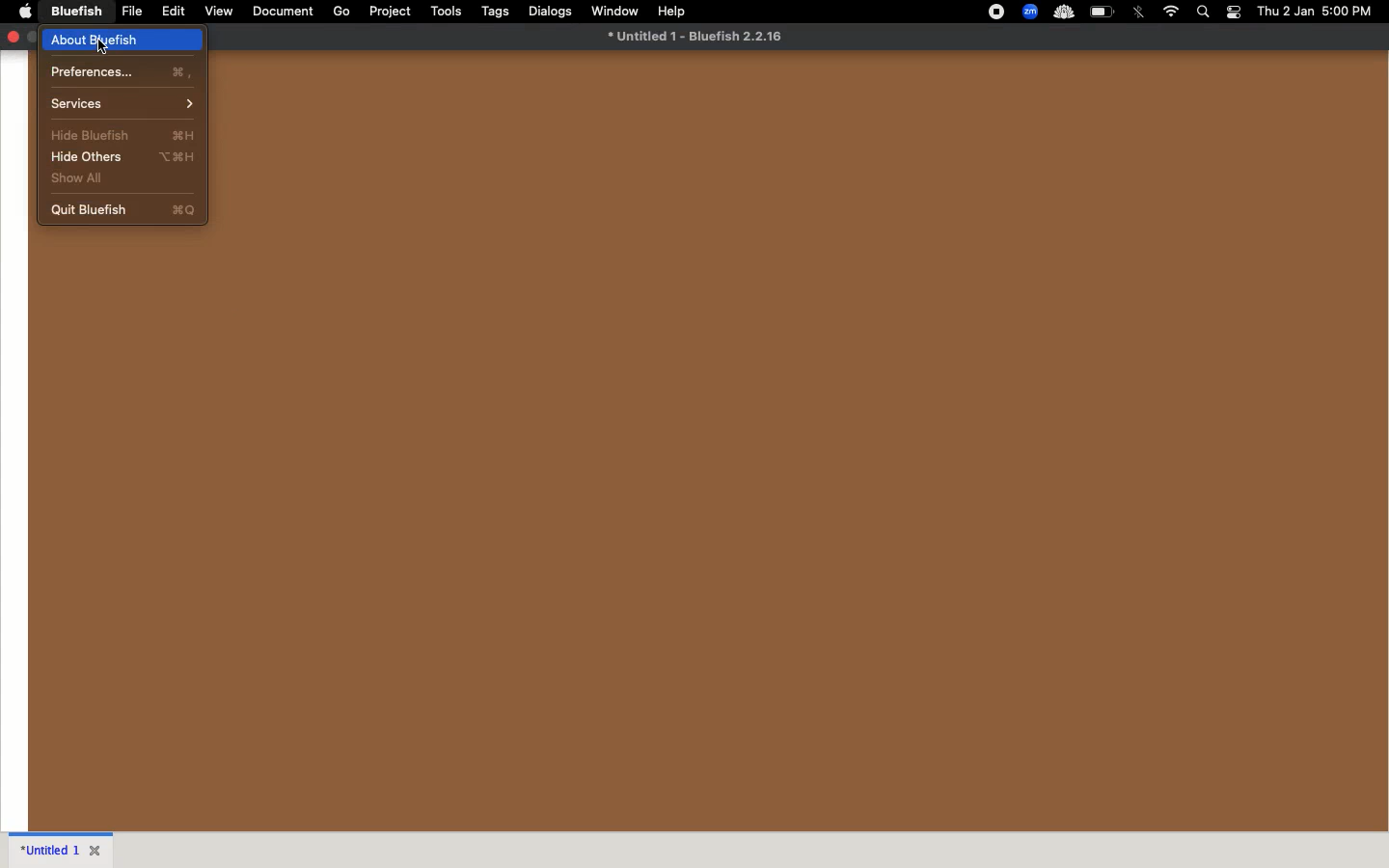 The height and width of the screenshot is (868, 1389). I want to click on tools, so click(449, 11).